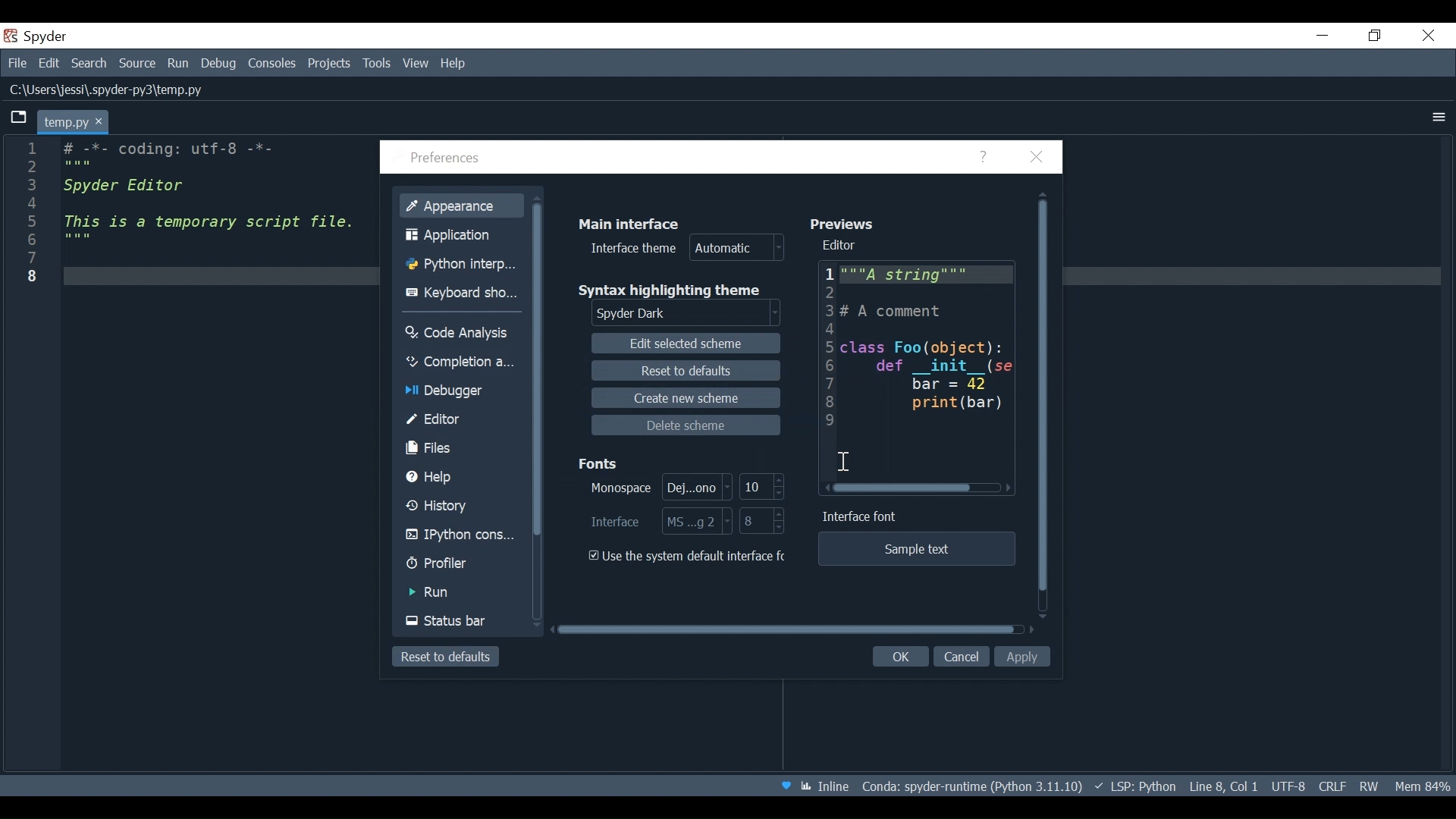  Describe the element at coordinates (138, 64) in the screenshot. I see `Source` at that location.